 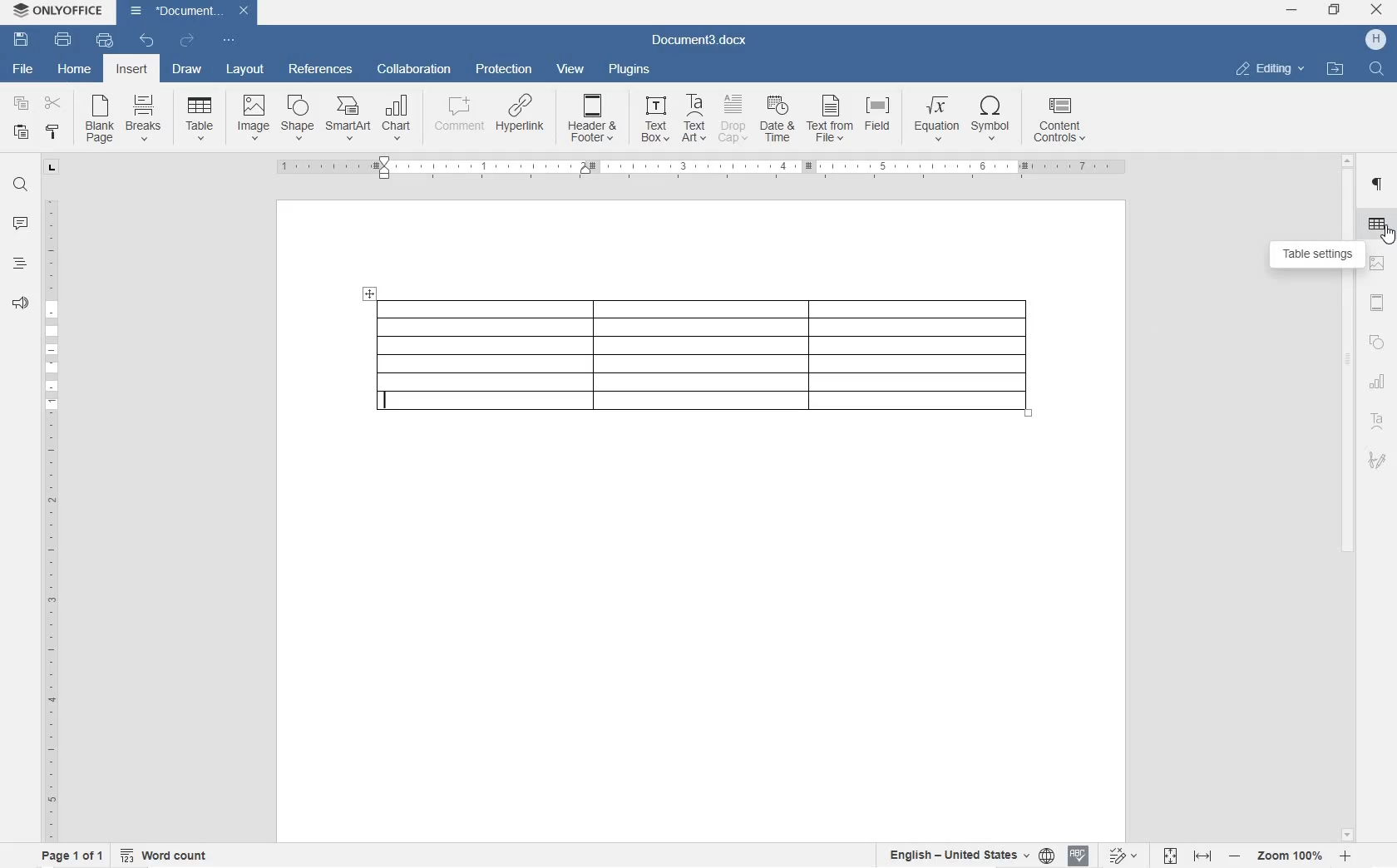 What do you see at coordinates (229, 42) in the screenshot?
I see `CUSTOMIZE QUICK ACCESS TOOLBAR` at bounding box center [229, 42].